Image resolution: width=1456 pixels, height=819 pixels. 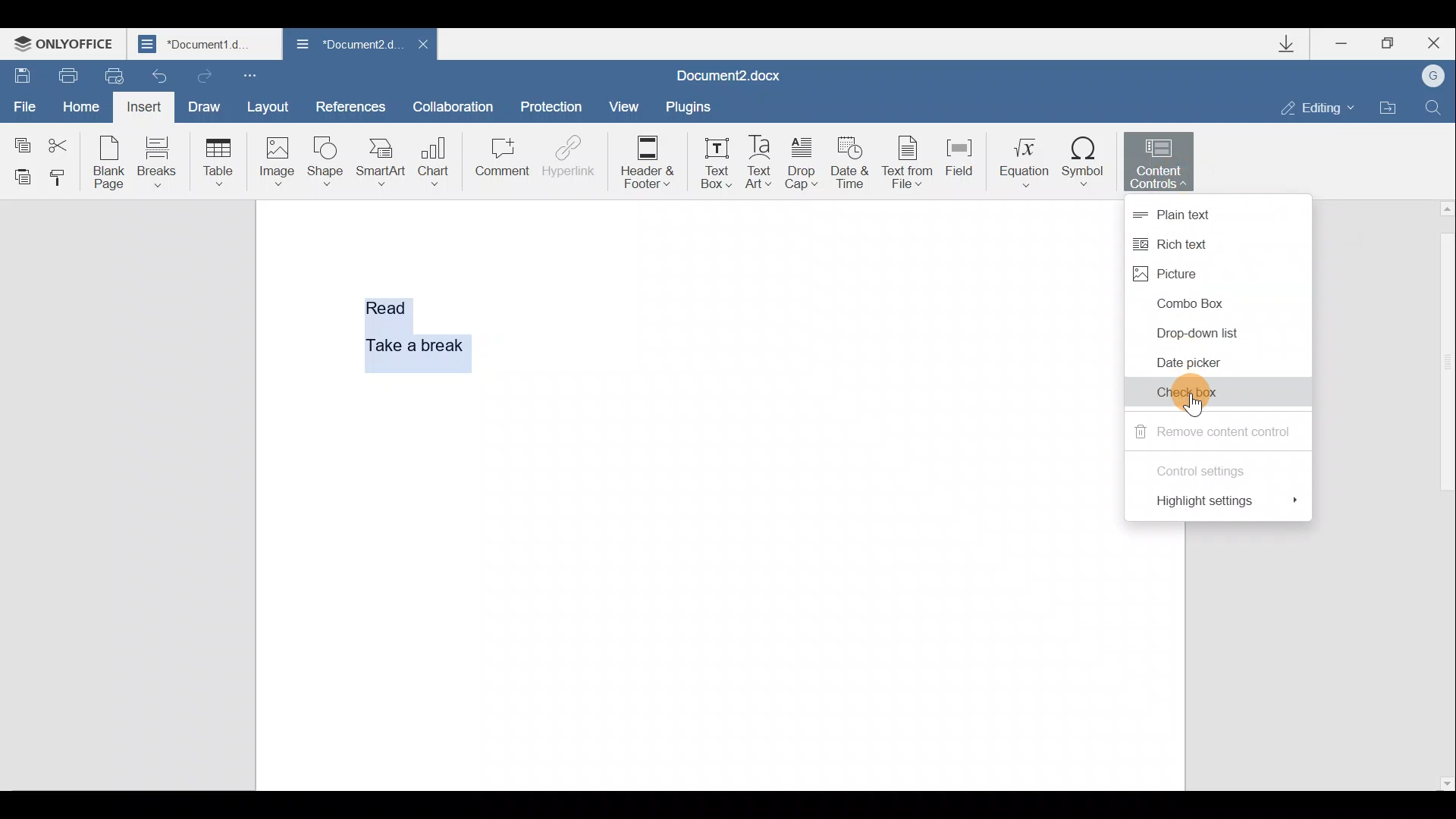 I want to click on Working area, so click(x=803, y=493).